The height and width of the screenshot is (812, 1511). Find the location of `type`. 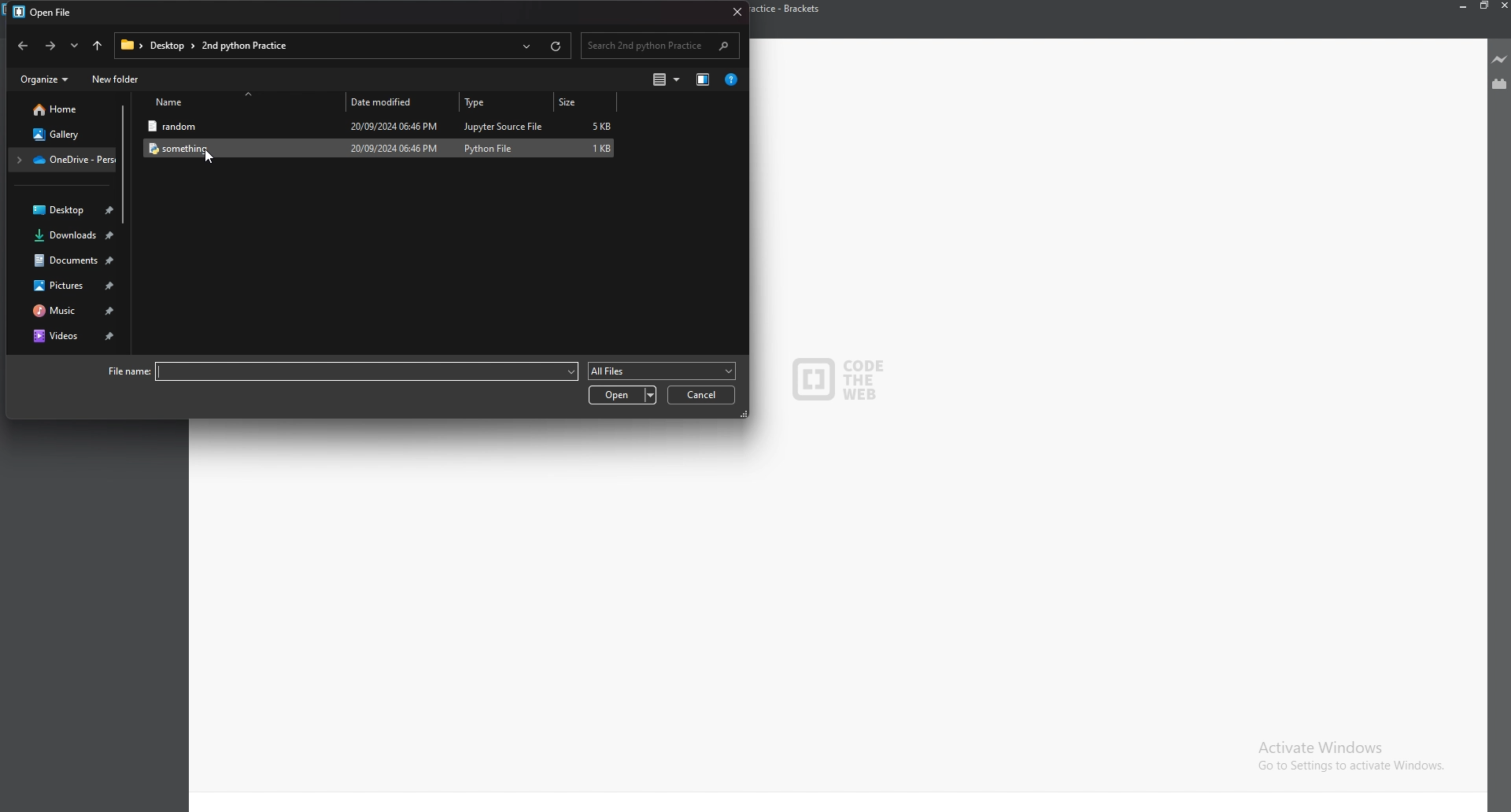

type is located at coordinates (504, 101).